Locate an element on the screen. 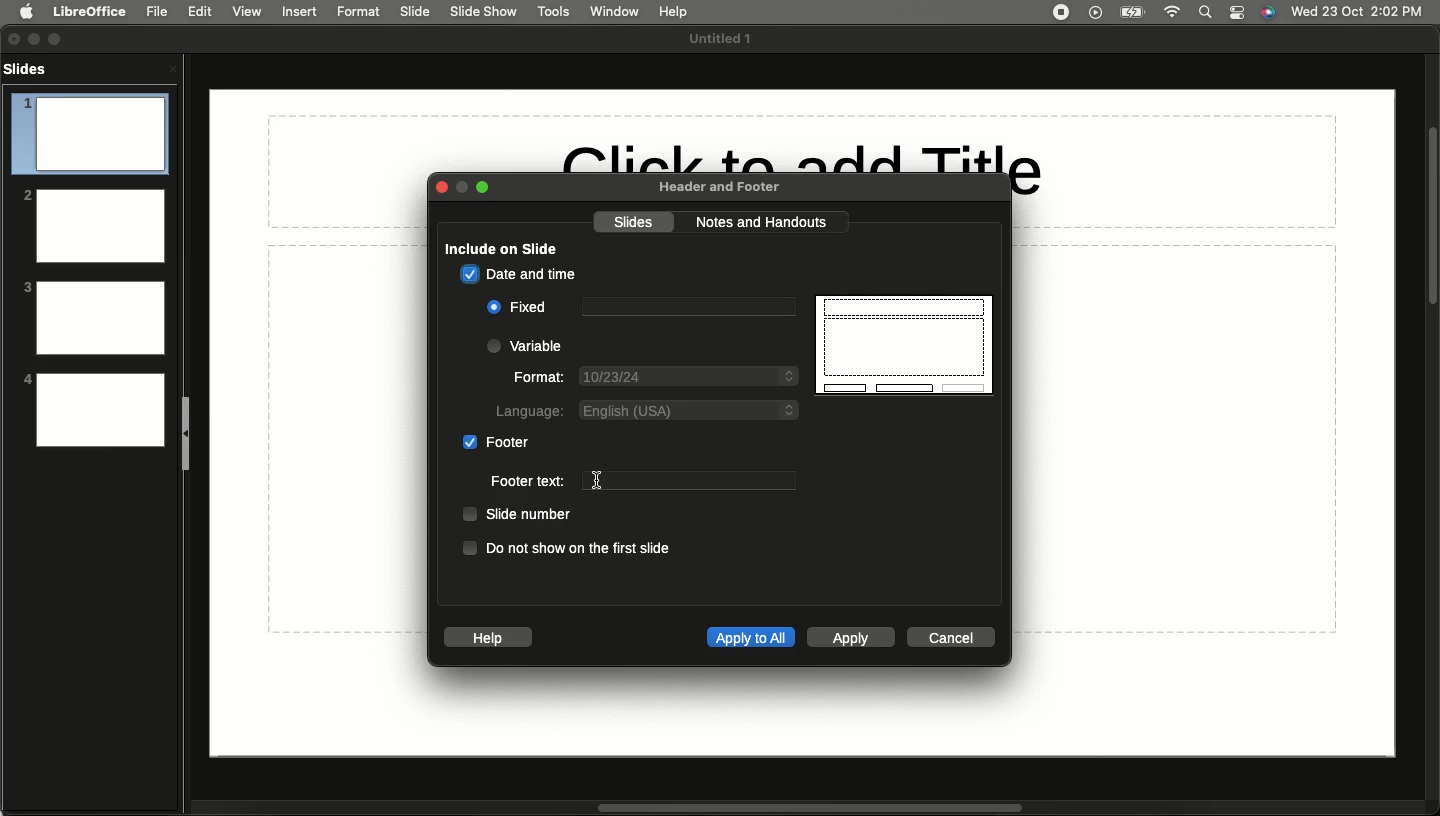  Slides is located at coordinates (31, 68).